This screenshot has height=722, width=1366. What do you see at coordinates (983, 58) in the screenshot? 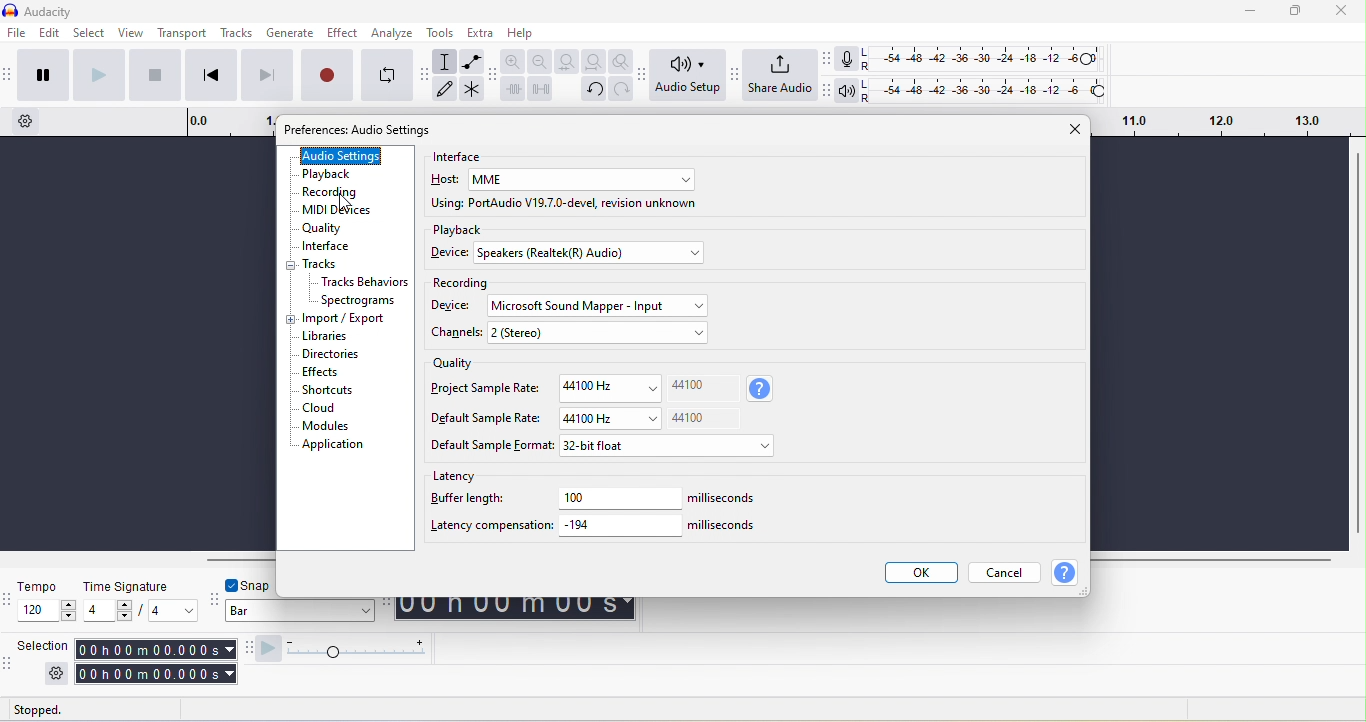
I see `recoding level` at bounding box center [983, 58].